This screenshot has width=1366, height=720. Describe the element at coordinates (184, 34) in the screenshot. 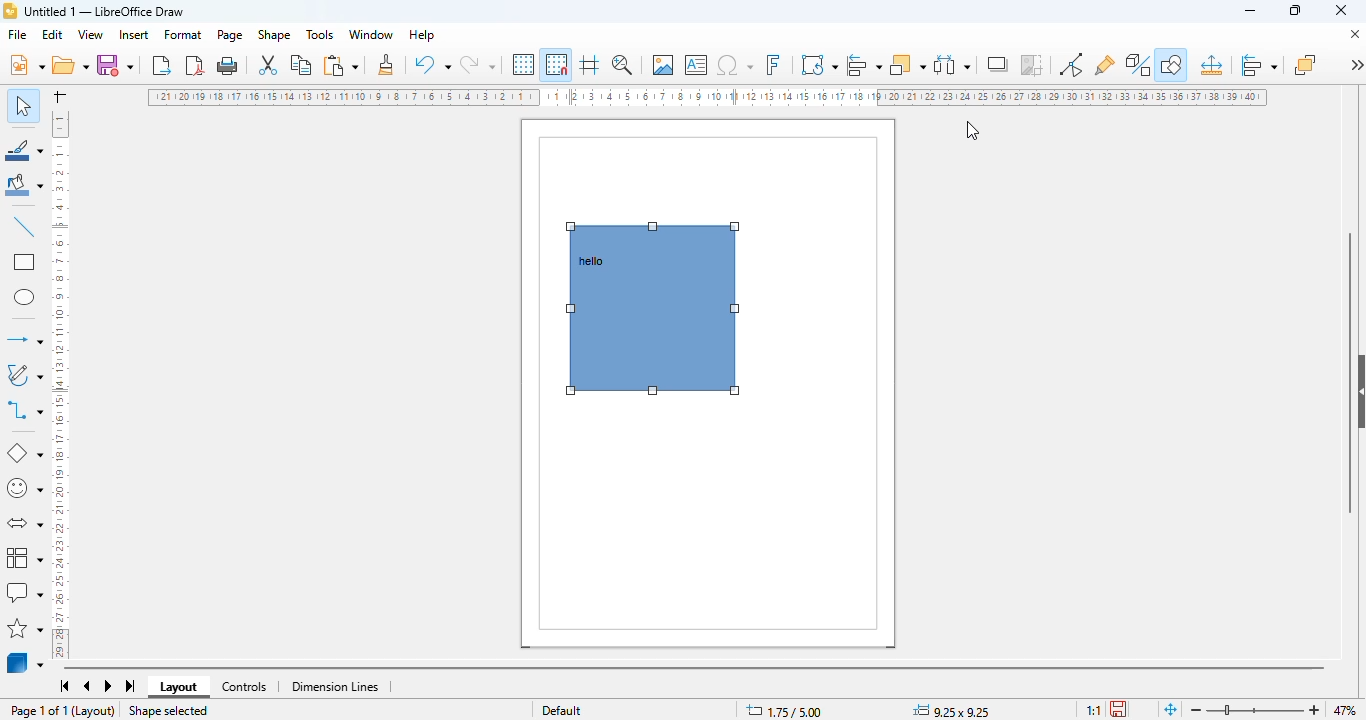

I see `format` at that location.